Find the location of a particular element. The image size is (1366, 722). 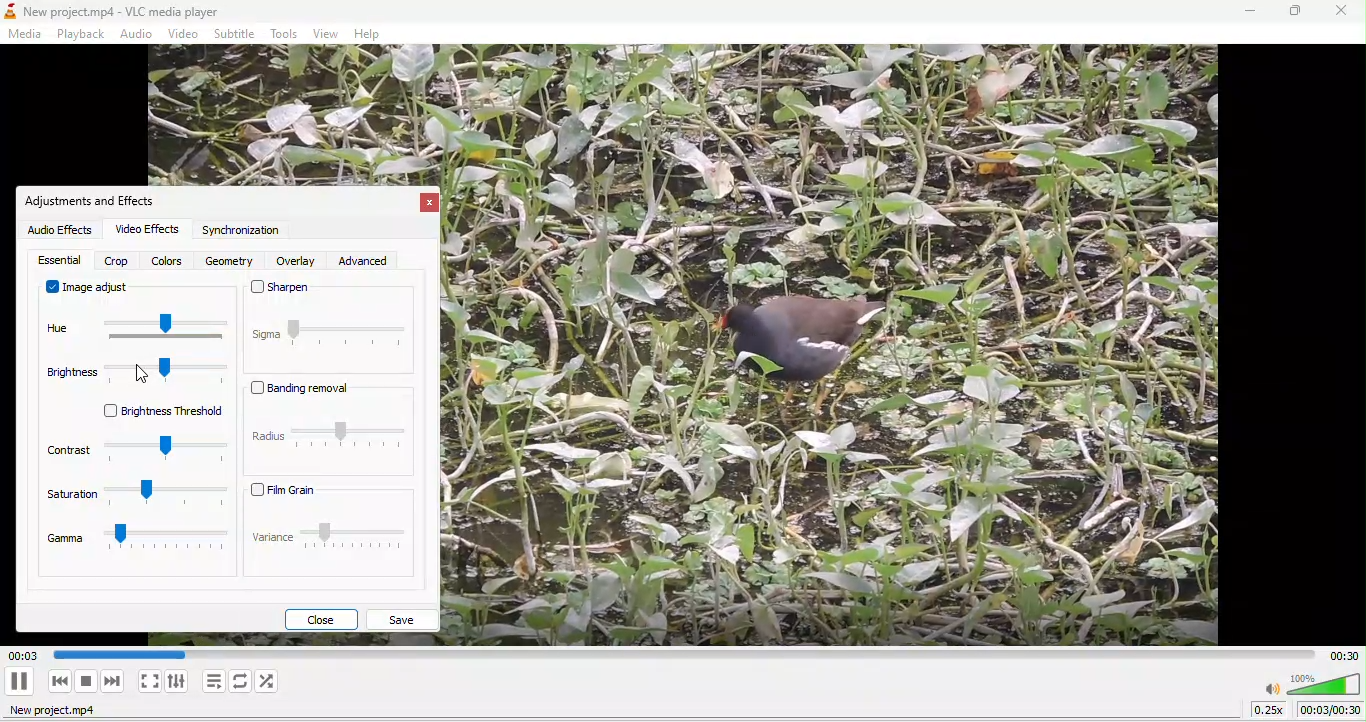

contrast is located at coordinates (133, 452).